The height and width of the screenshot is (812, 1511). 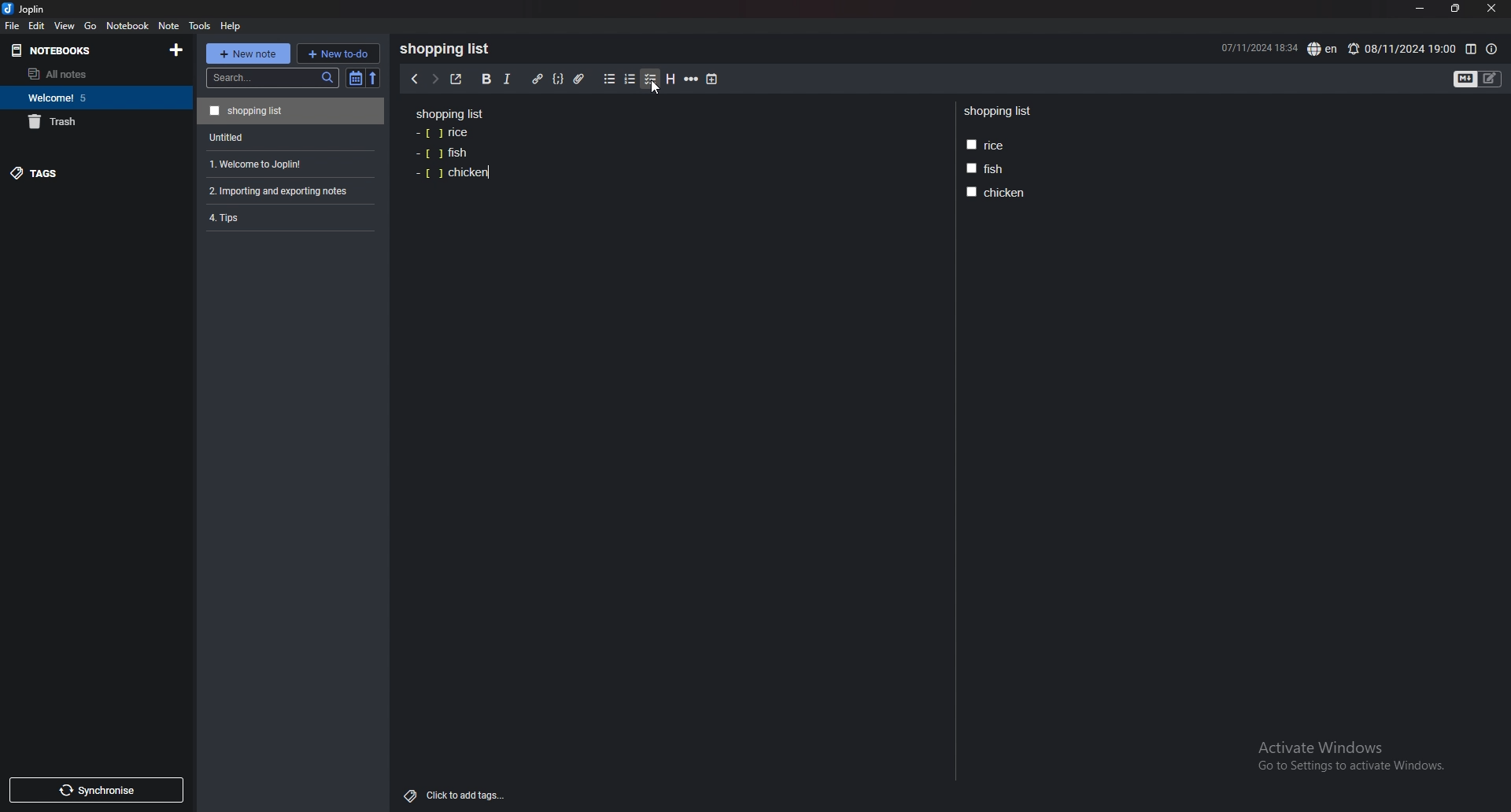 What do you see at coordinates (691, 79) in the screenshot?
I see `horizontal rule` at bounding box center [691, 79].